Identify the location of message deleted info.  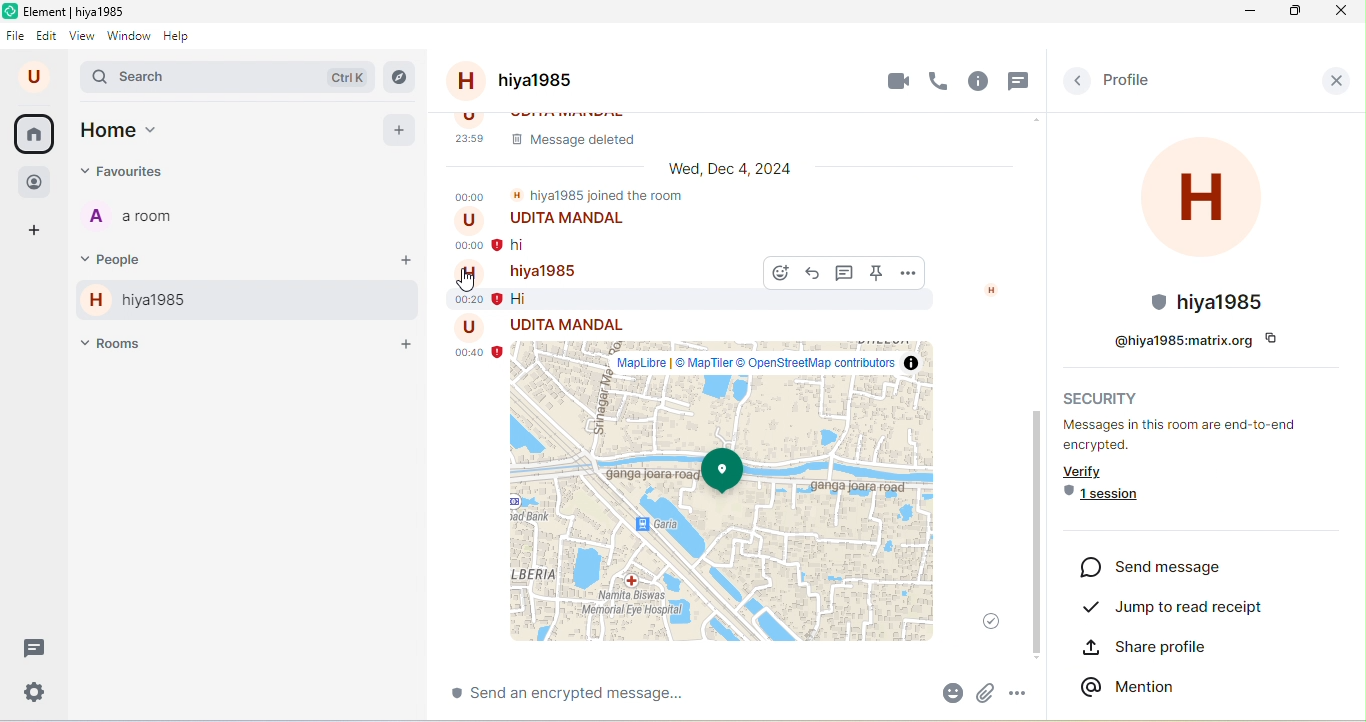
(744, 132).